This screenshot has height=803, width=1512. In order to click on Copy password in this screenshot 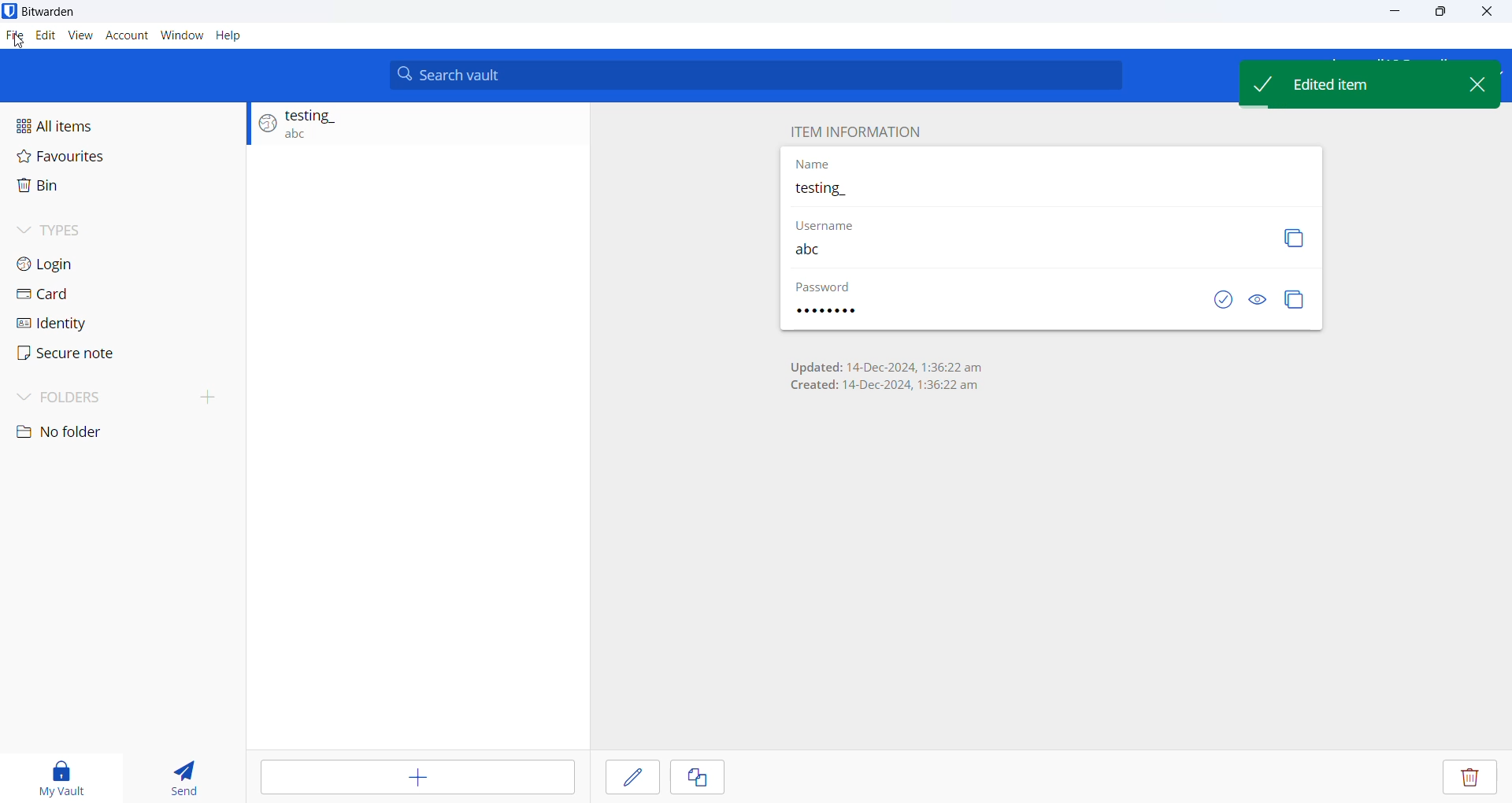, I will do `click(1296, 300)`.